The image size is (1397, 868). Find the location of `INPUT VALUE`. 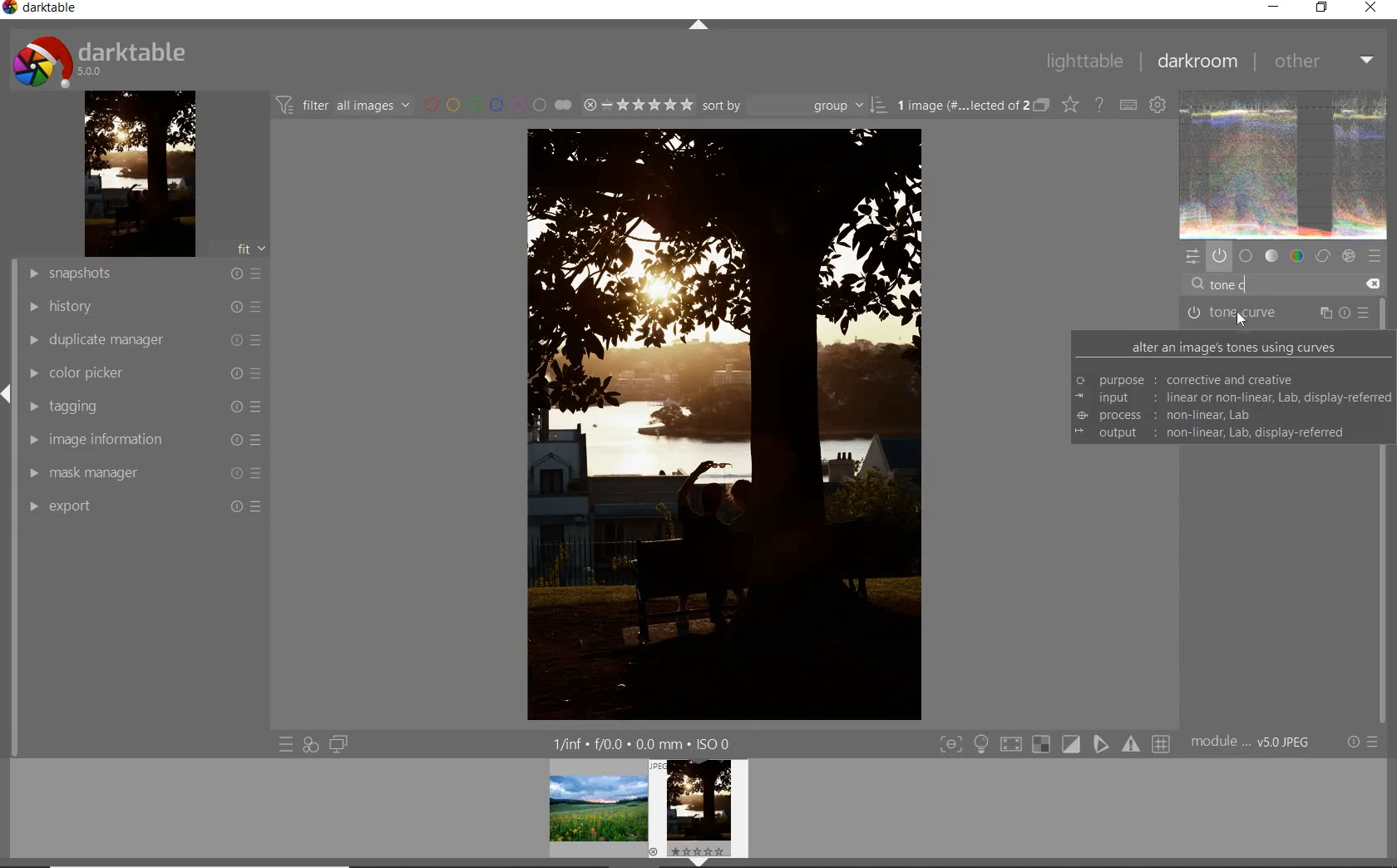

INPUT VALUE is located at coordinates (1235, 284).